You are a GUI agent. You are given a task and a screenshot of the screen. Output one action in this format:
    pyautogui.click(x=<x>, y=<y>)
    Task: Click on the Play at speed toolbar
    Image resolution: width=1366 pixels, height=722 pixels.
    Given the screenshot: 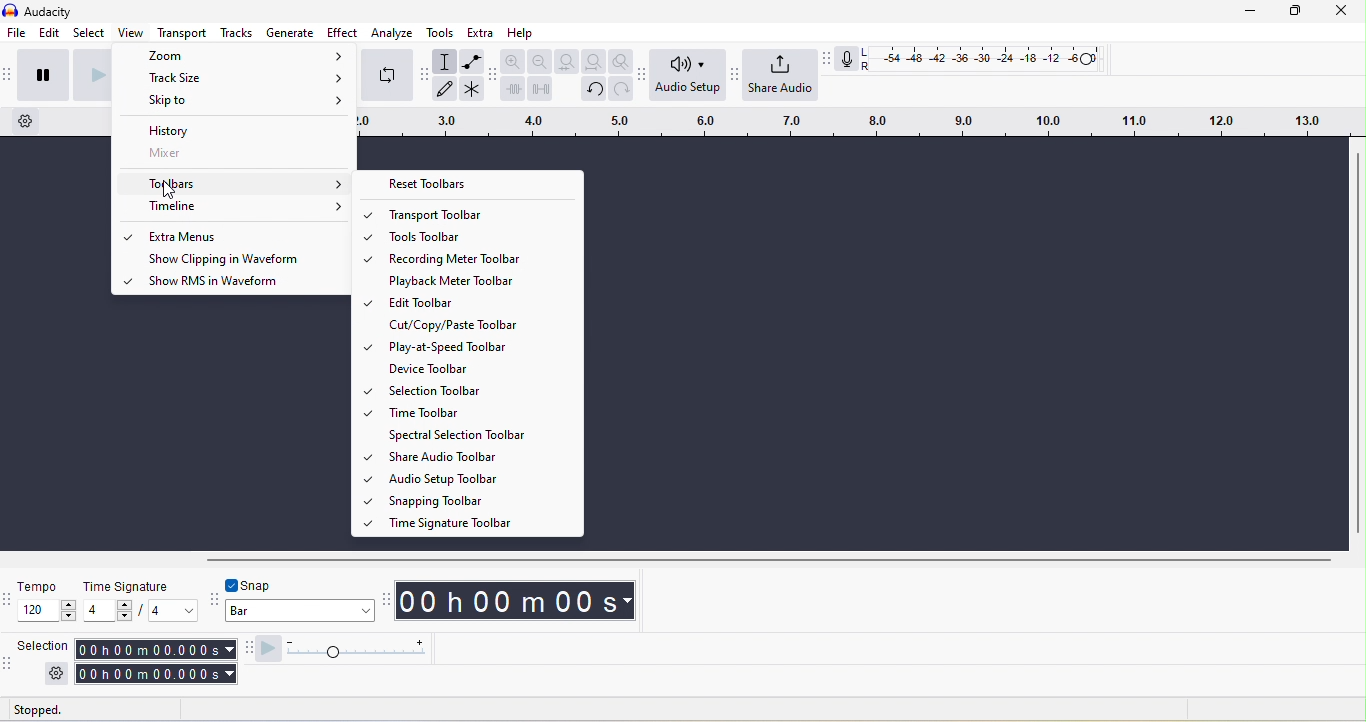 What is the action you would take?
    pyautogui.click(x=478, y=347)
    